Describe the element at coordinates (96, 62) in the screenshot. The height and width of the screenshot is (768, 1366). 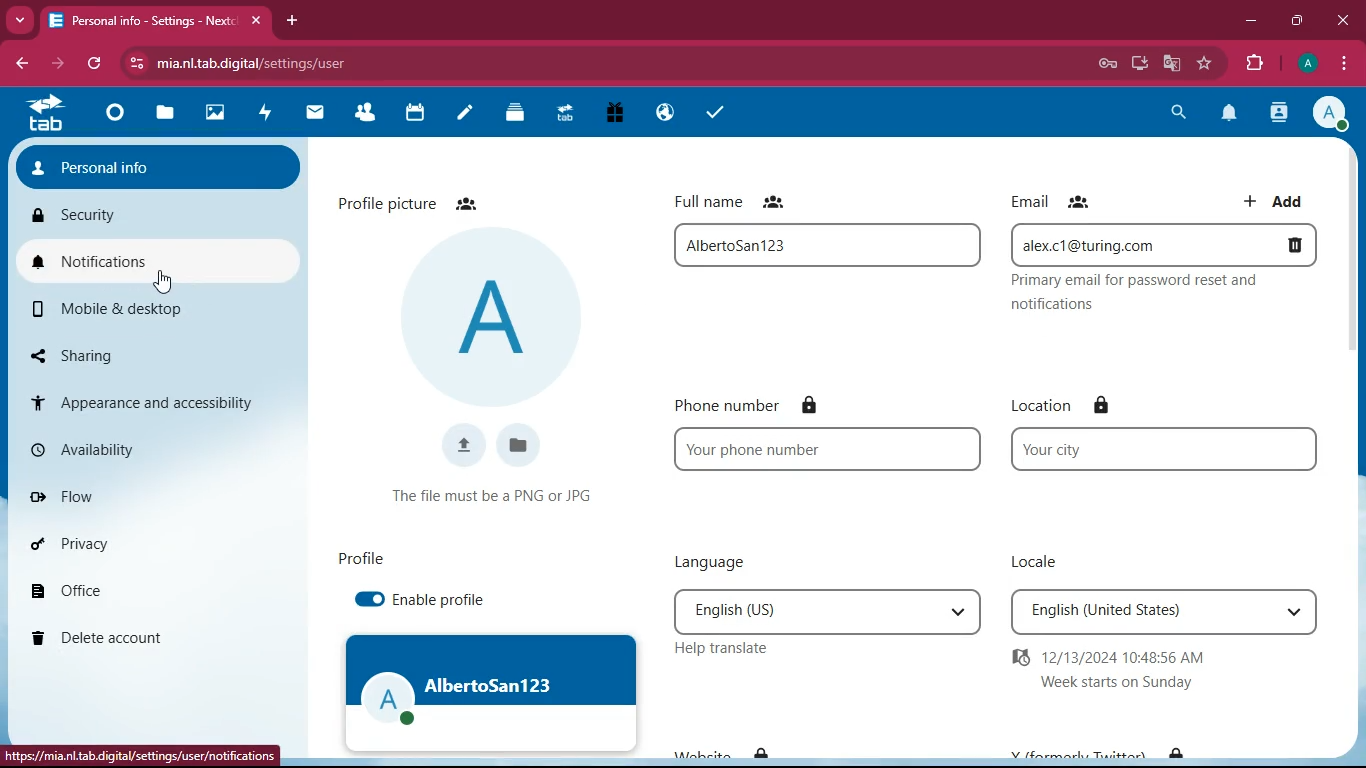
I see `refresh` at that location.